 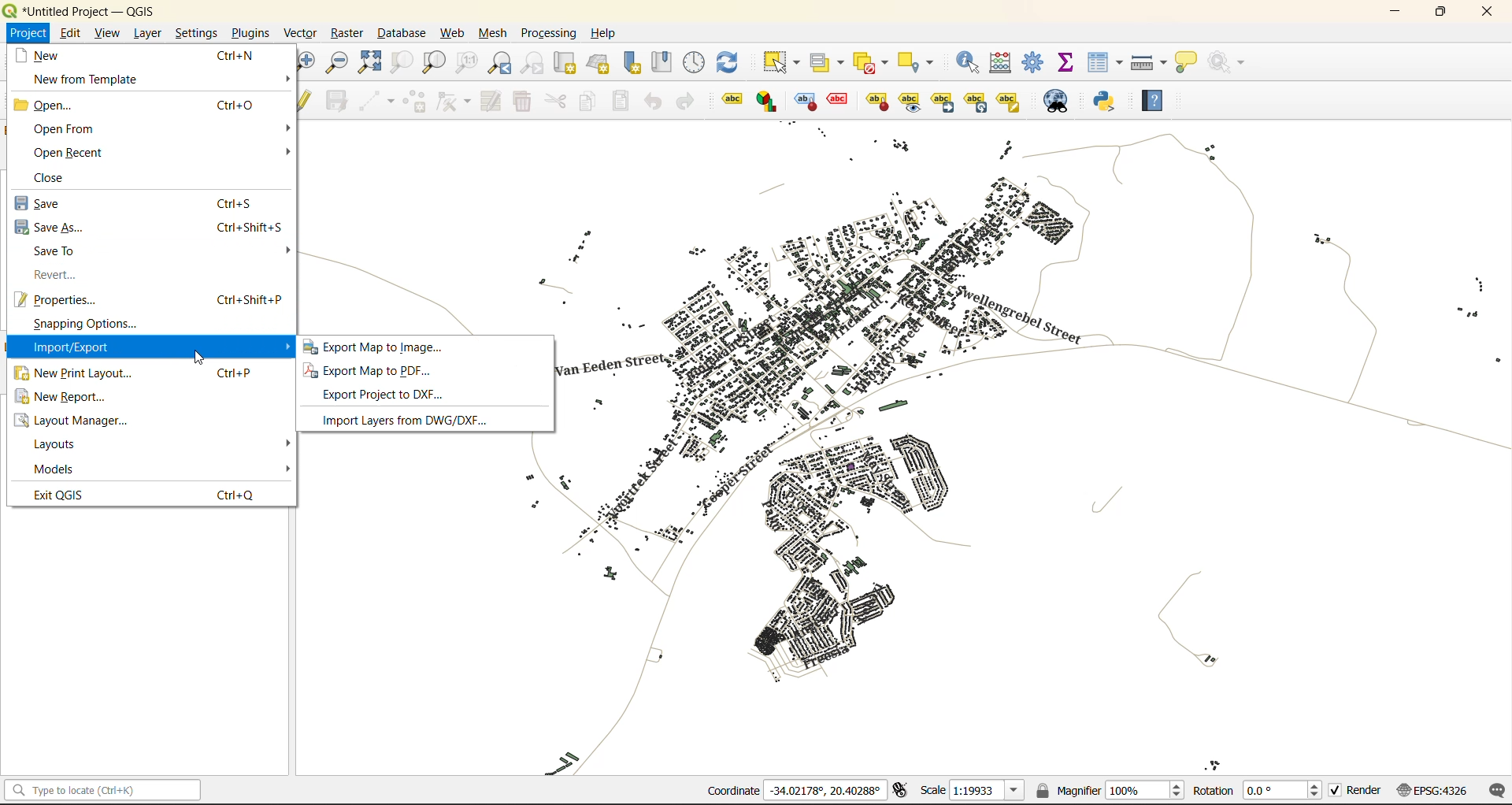 I want to click on  toggle display, so click(x=802, y=101).